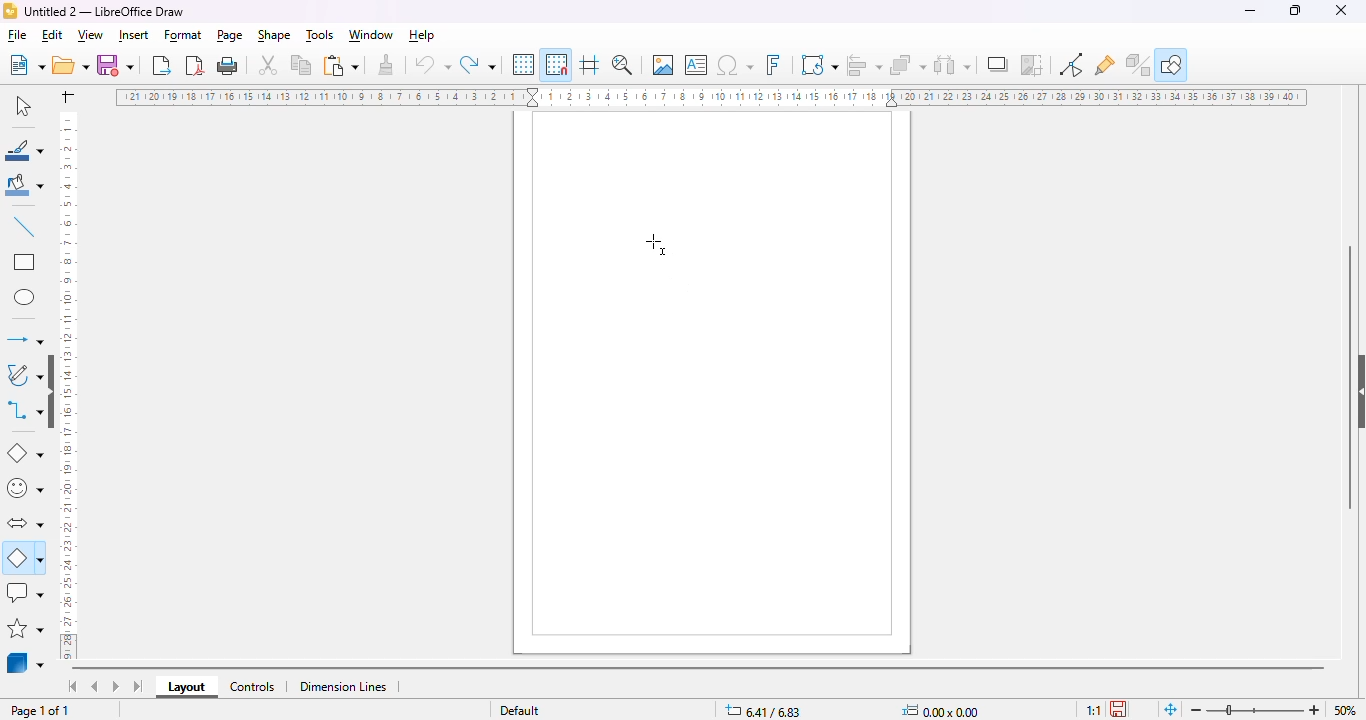 The image size is (1366, 720). What do you see at coordinates (118, 65) in the screenshot?
I see `save` at bounding box center [118, 65].